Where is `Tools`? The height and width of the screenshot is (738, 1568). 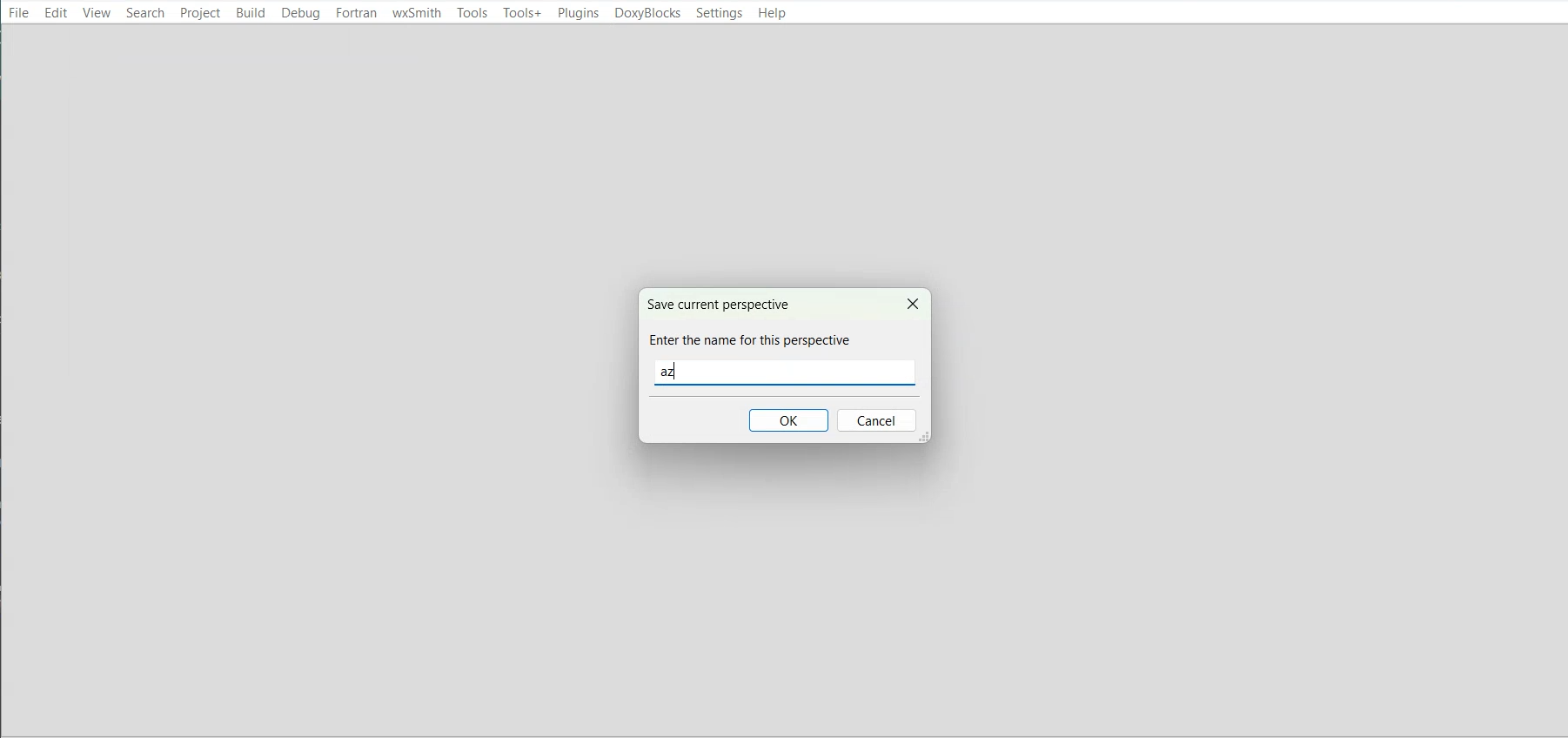 Tools is located at coordinates (472, 12).